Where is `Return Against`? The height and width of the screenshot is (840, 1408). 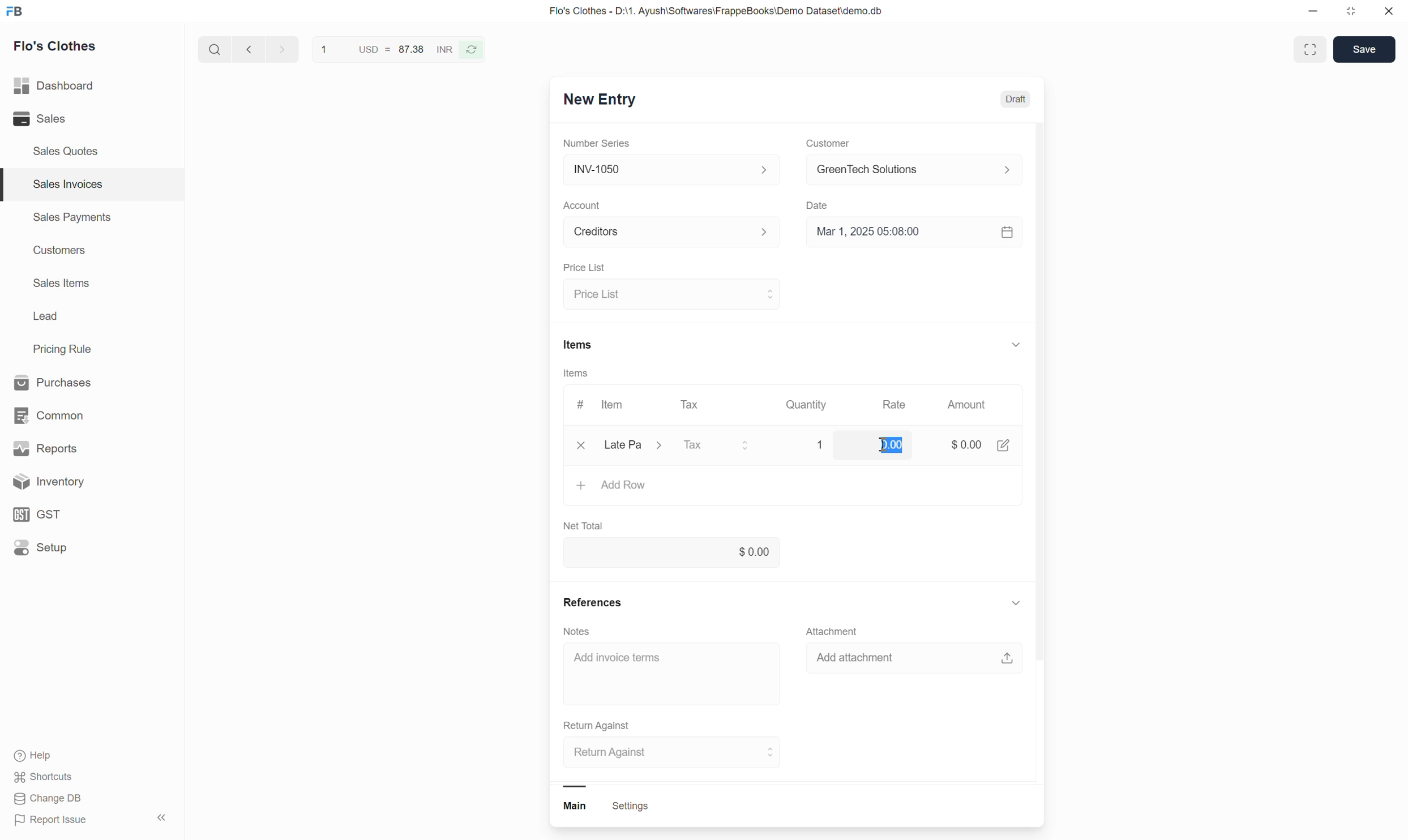
Return Against is located at coordinates (605, 725).